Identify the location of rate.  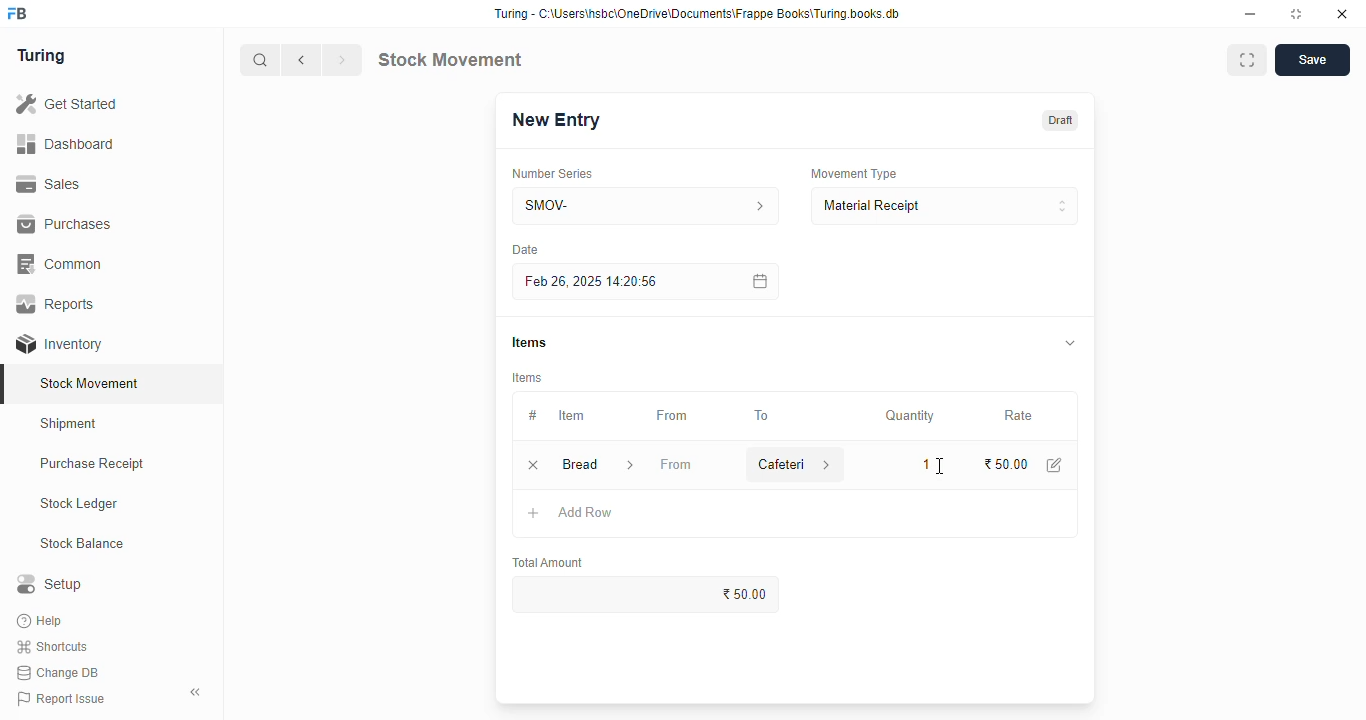
(1019, 416).